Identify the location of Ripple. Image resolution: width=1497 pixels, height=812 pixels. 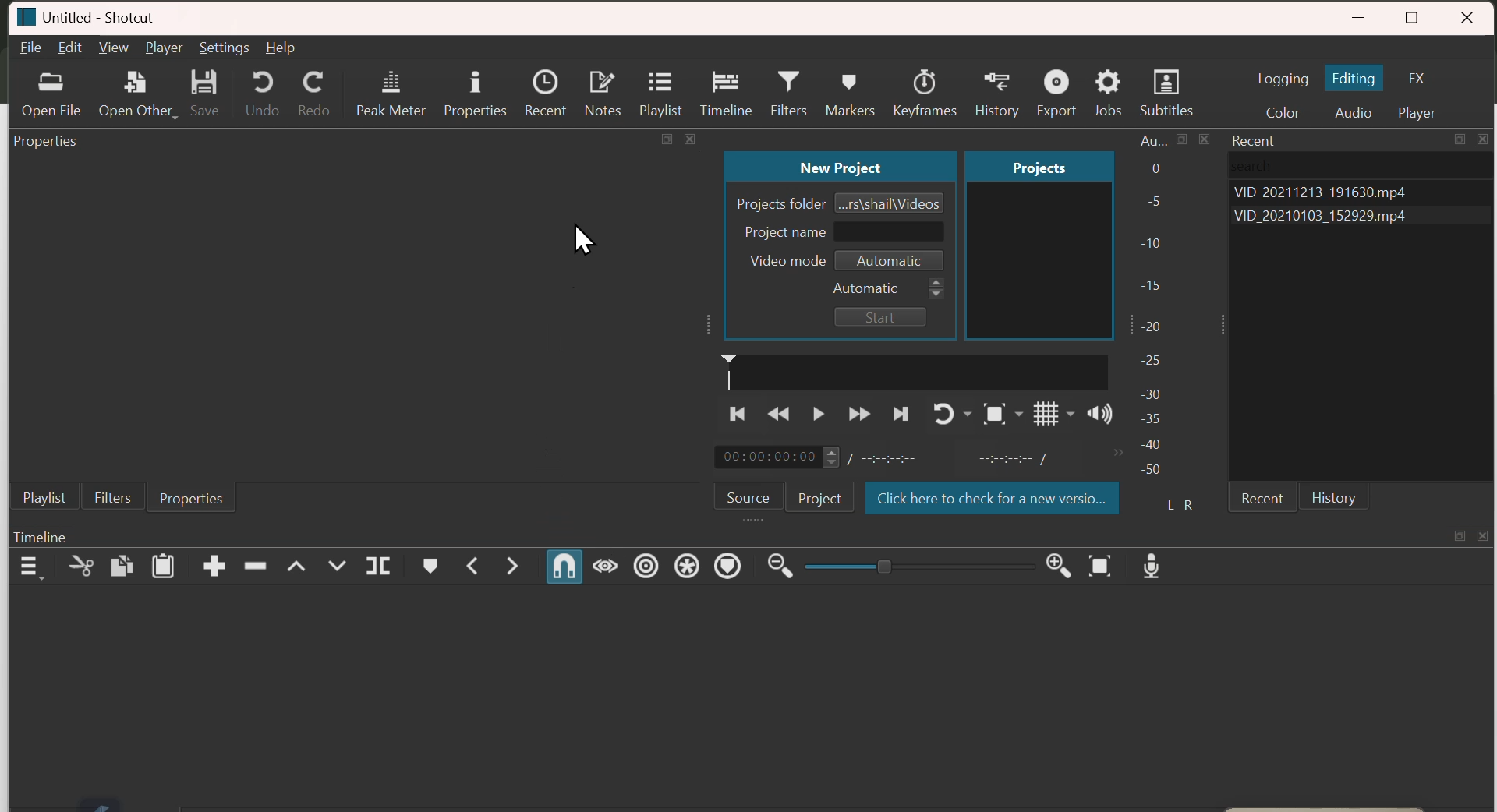
(646, 566).